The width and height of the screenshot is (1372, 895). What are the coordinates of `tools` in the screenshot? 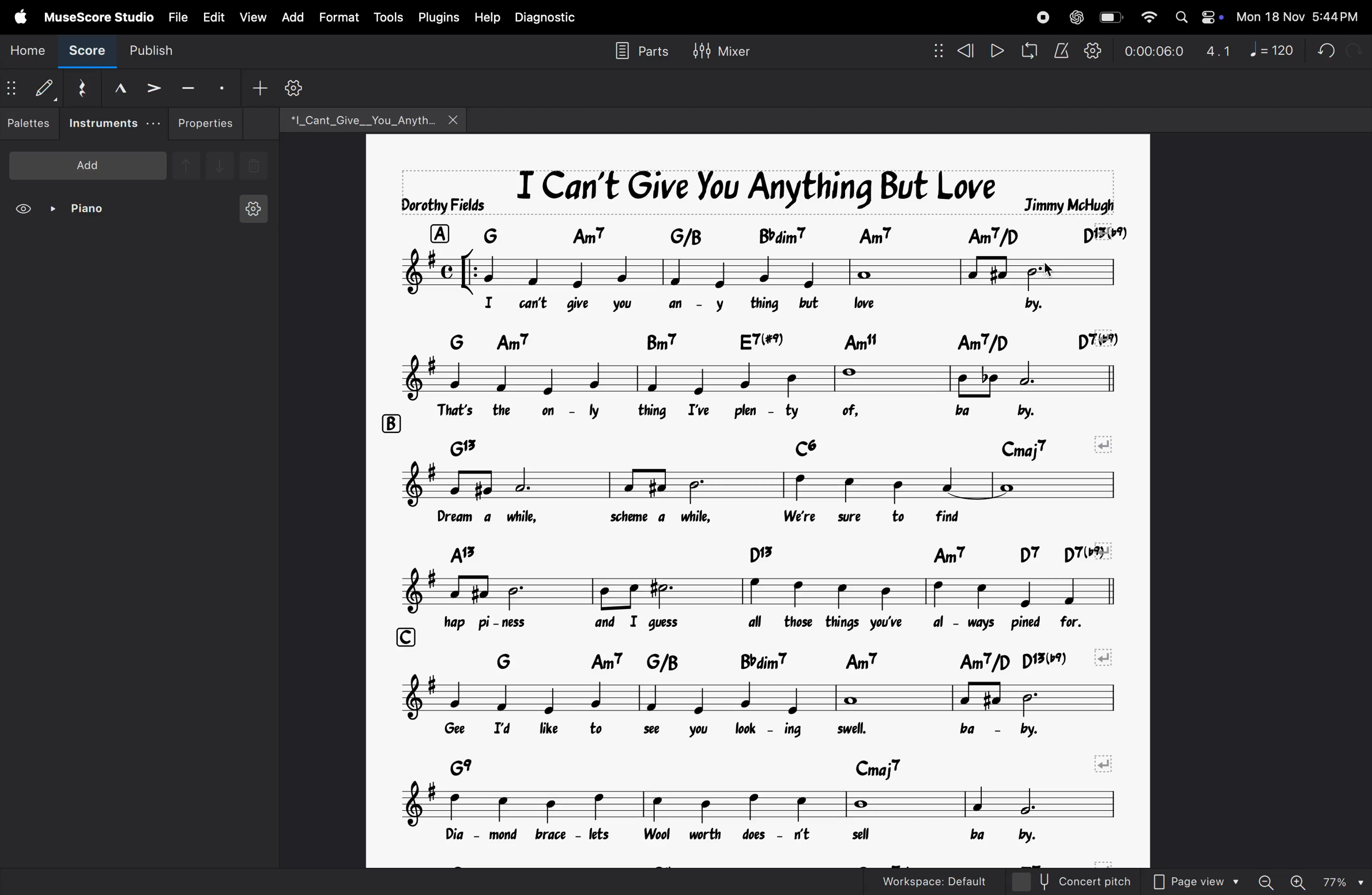 It's located at (388, 17).